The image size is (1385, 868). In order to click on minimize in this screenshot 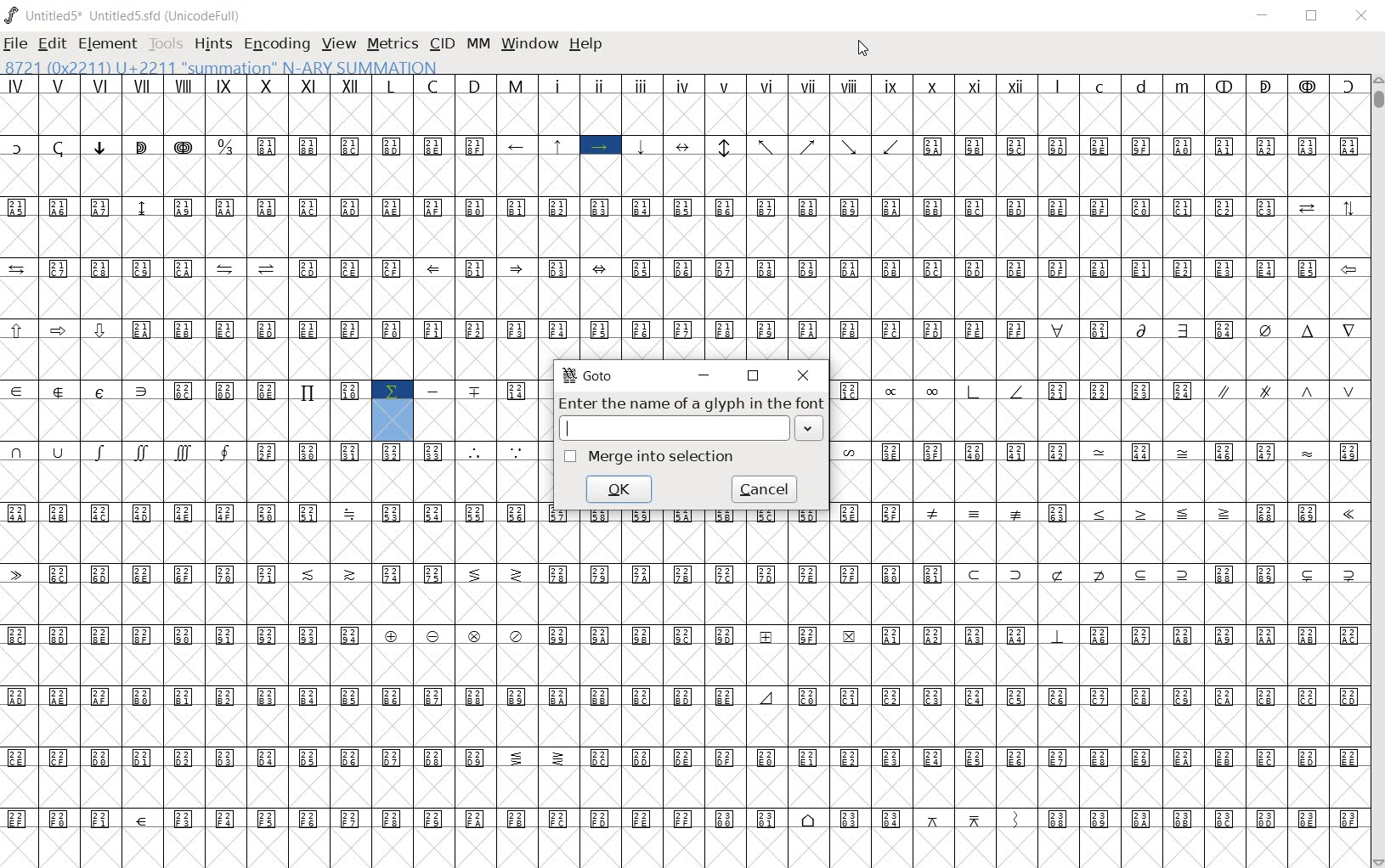, I will do `click(707, 375)`.